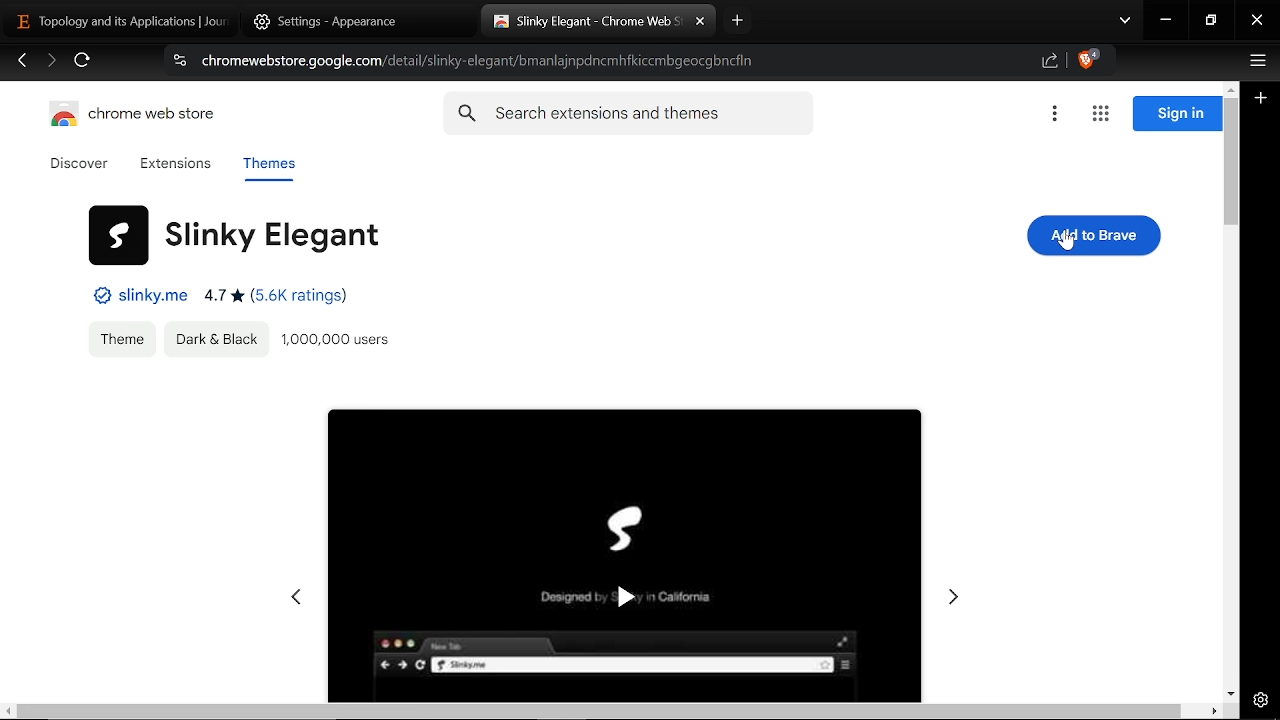 The height and width of the screenshot is (720, 1280). Describe the element at coordinates (1232, 165) in the screenshot. I see `Vertical scrollbar` at that location.